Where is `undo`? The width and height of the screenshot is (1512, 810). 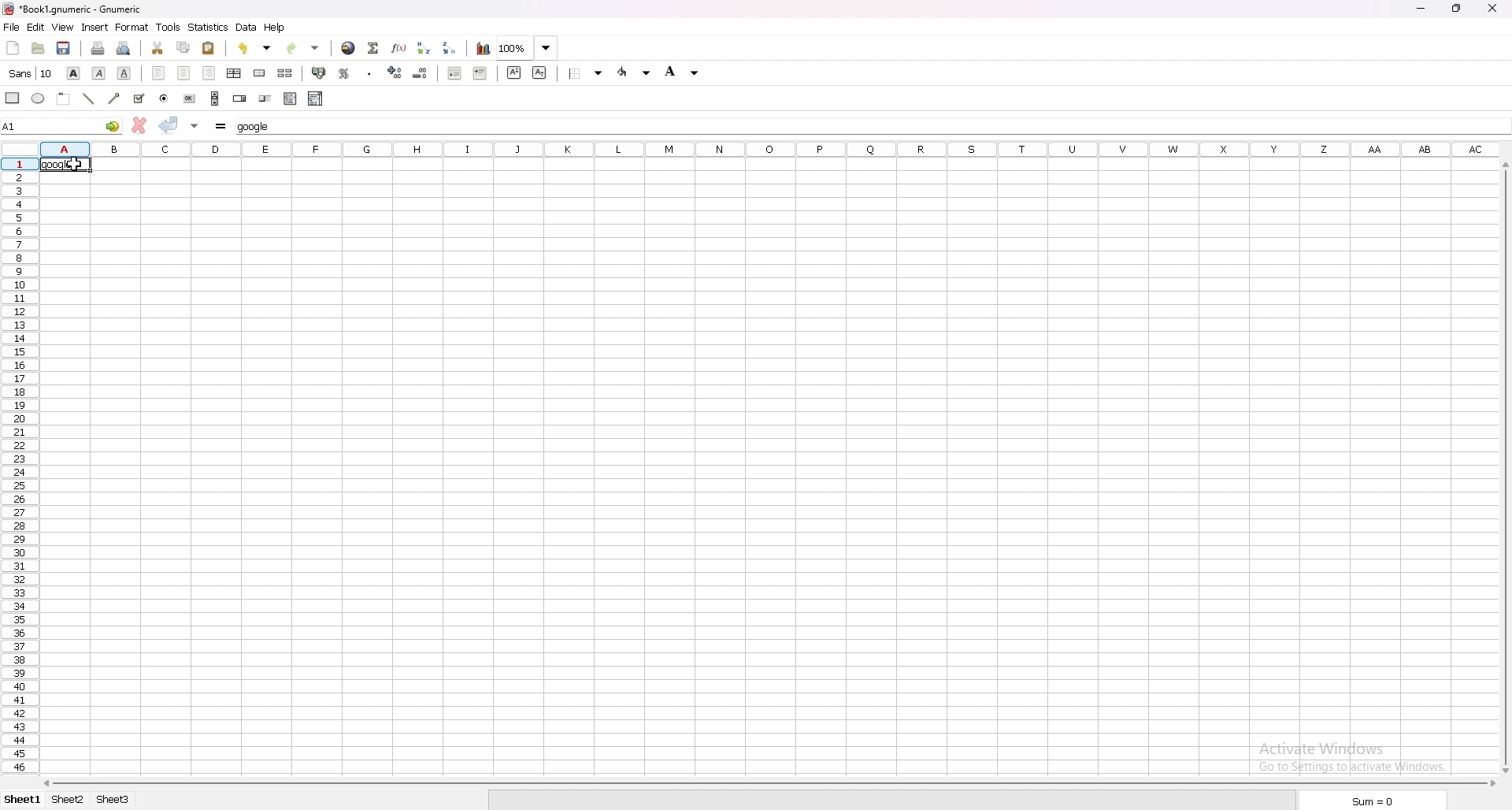
undo is located at coordinates (256, 48).